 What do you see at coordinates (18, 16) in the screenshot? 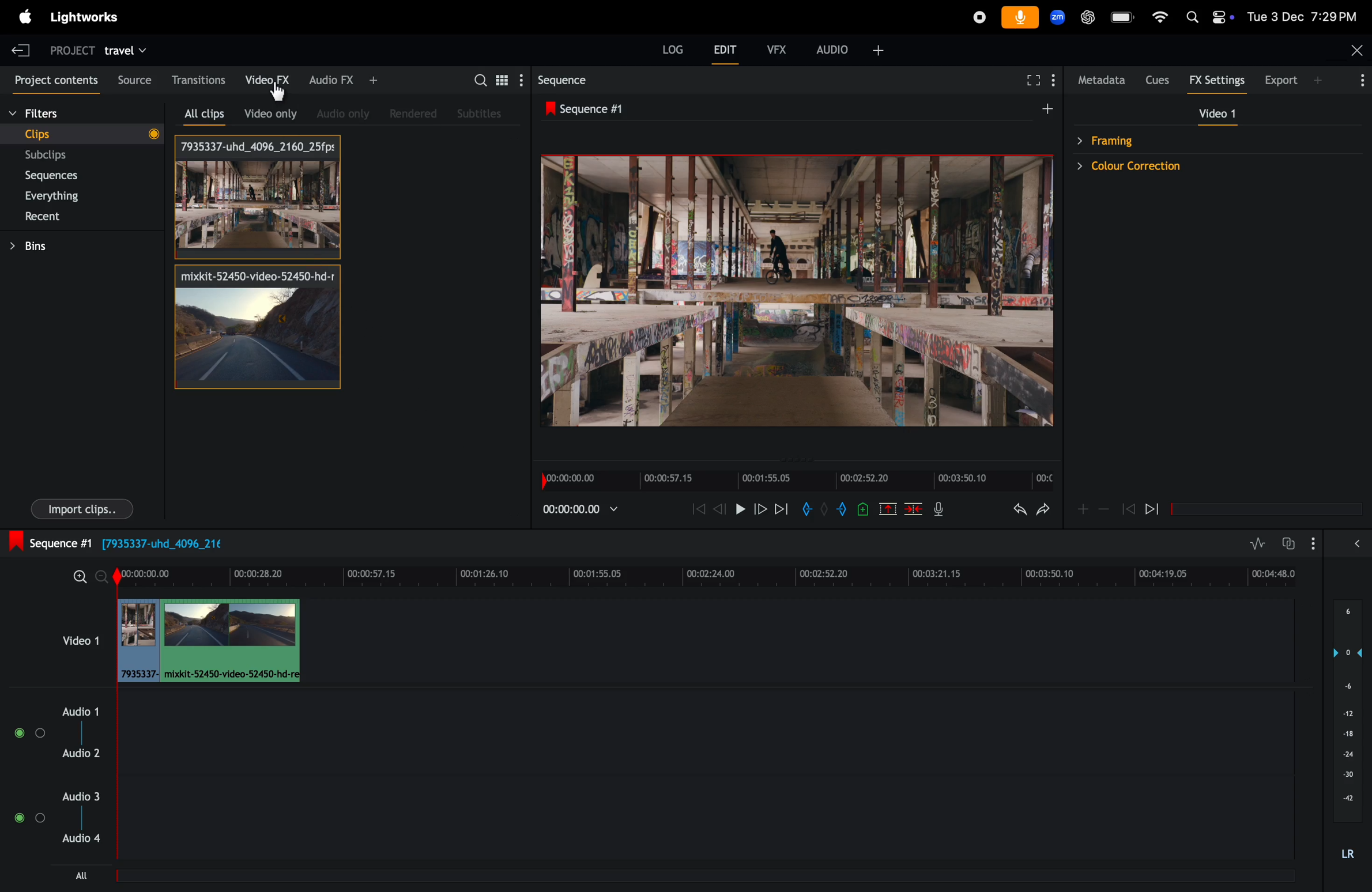
I see `apple menu` at bounding box center [18, 16].